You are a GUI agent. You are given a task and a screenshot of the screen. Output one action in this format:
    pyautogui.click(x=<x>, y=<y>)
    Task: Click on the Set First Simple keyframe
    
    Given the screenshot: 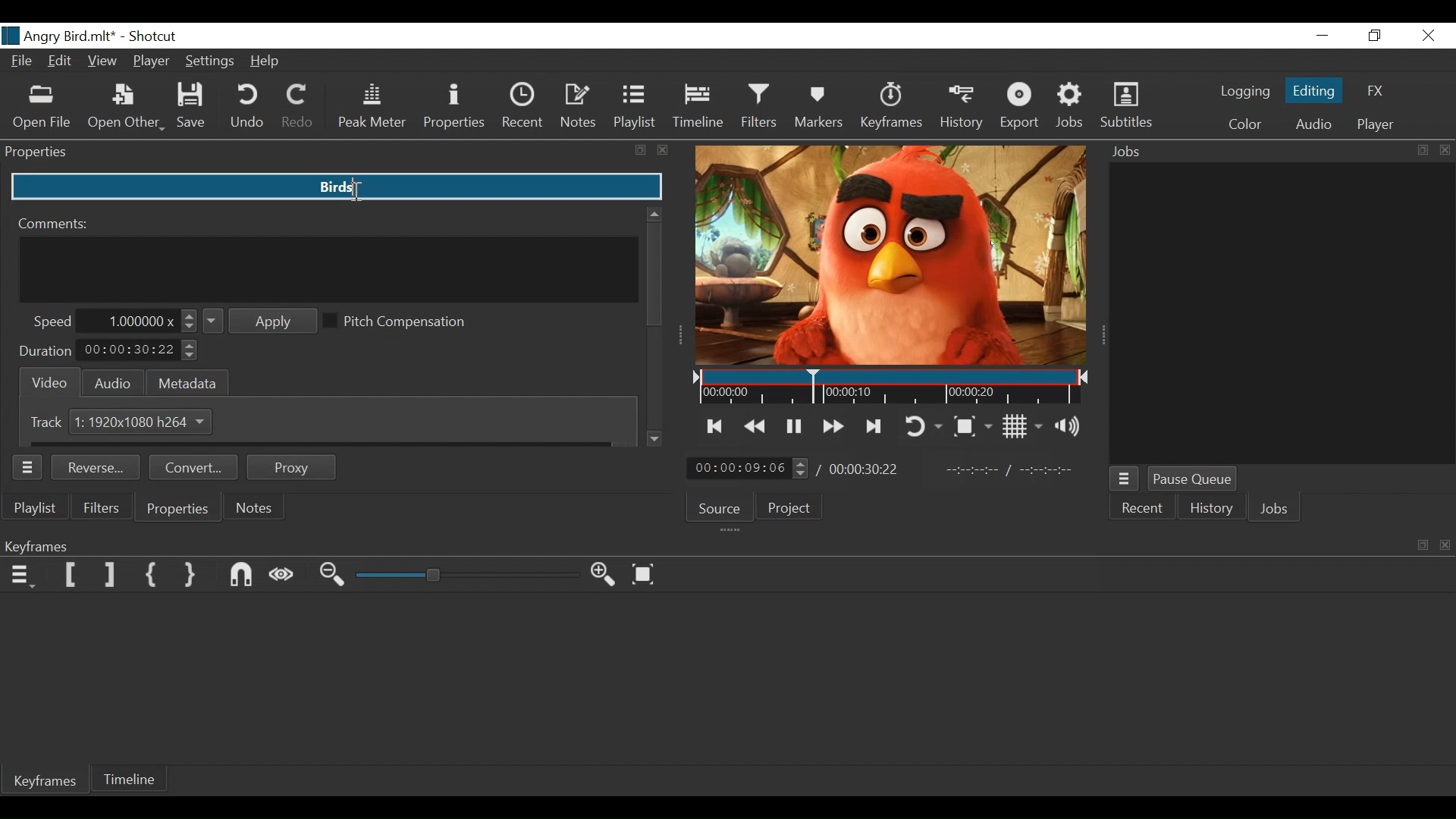 What is the action you would take?
    pyautogui.click(x=155, y=576)
    